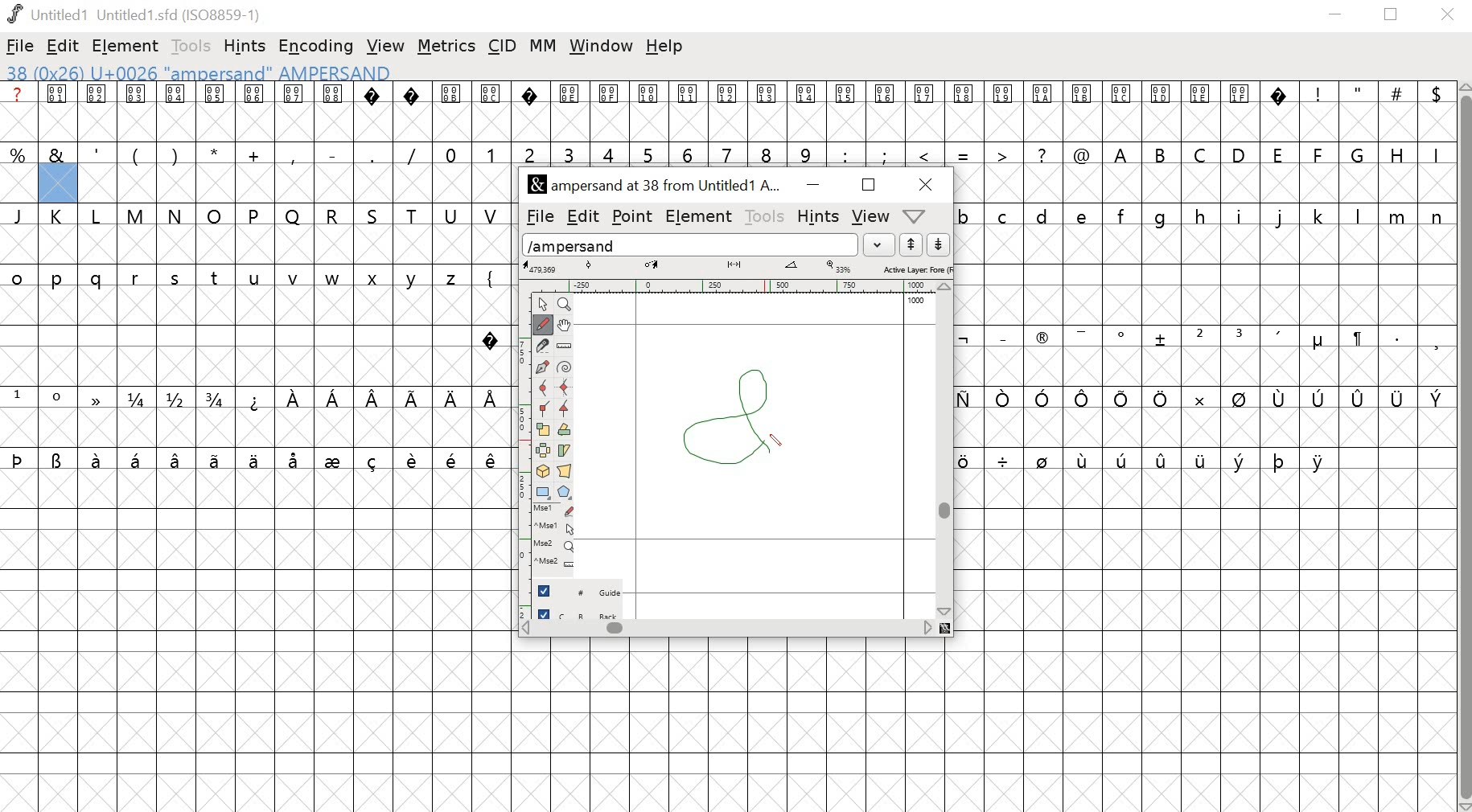  Describe the element at coordinates (731, 111) in the screenshot. I see `0012` at that location.